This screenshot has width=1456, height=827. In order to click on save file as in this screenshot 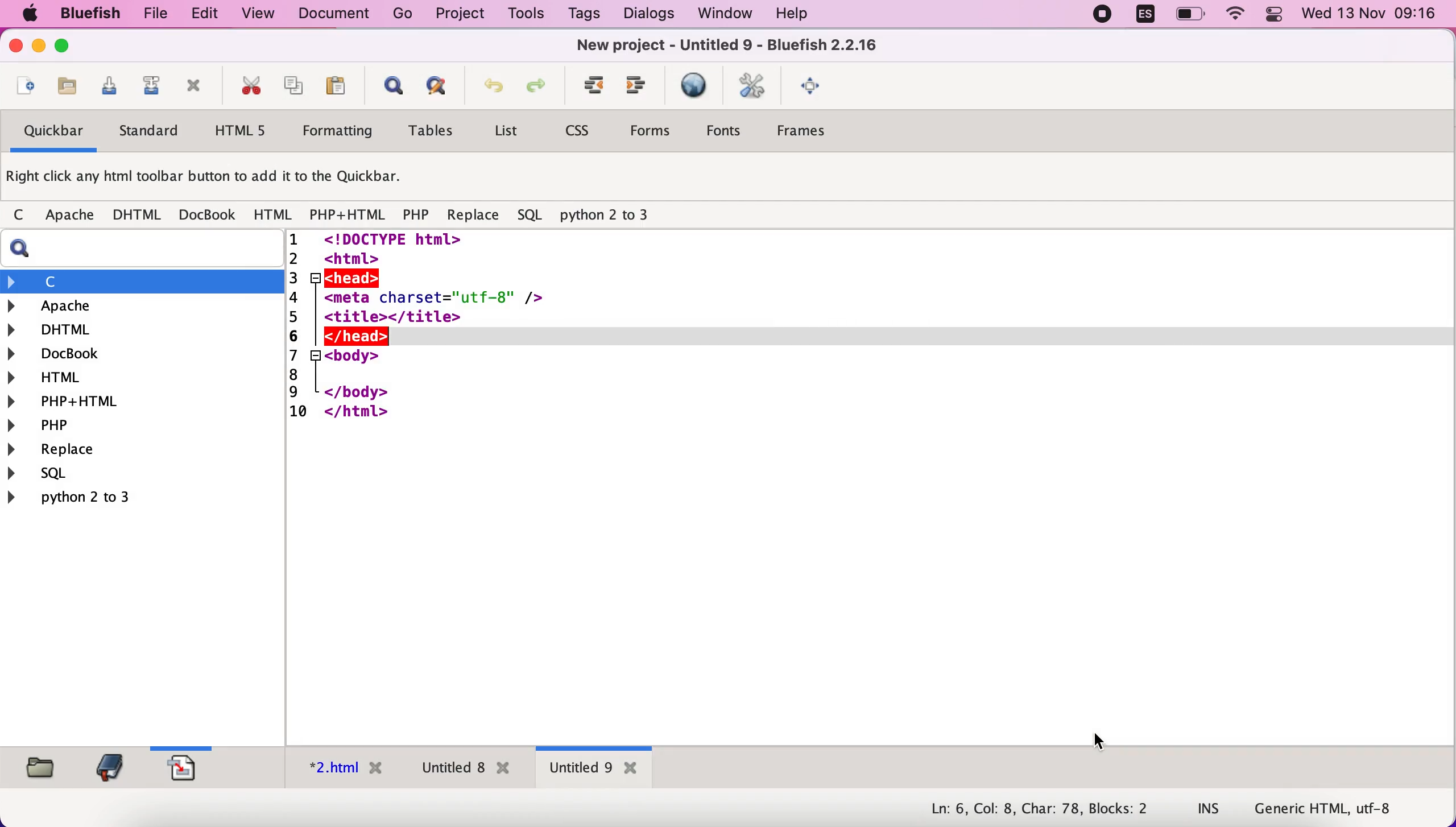, I will do `click(148, 89)`.